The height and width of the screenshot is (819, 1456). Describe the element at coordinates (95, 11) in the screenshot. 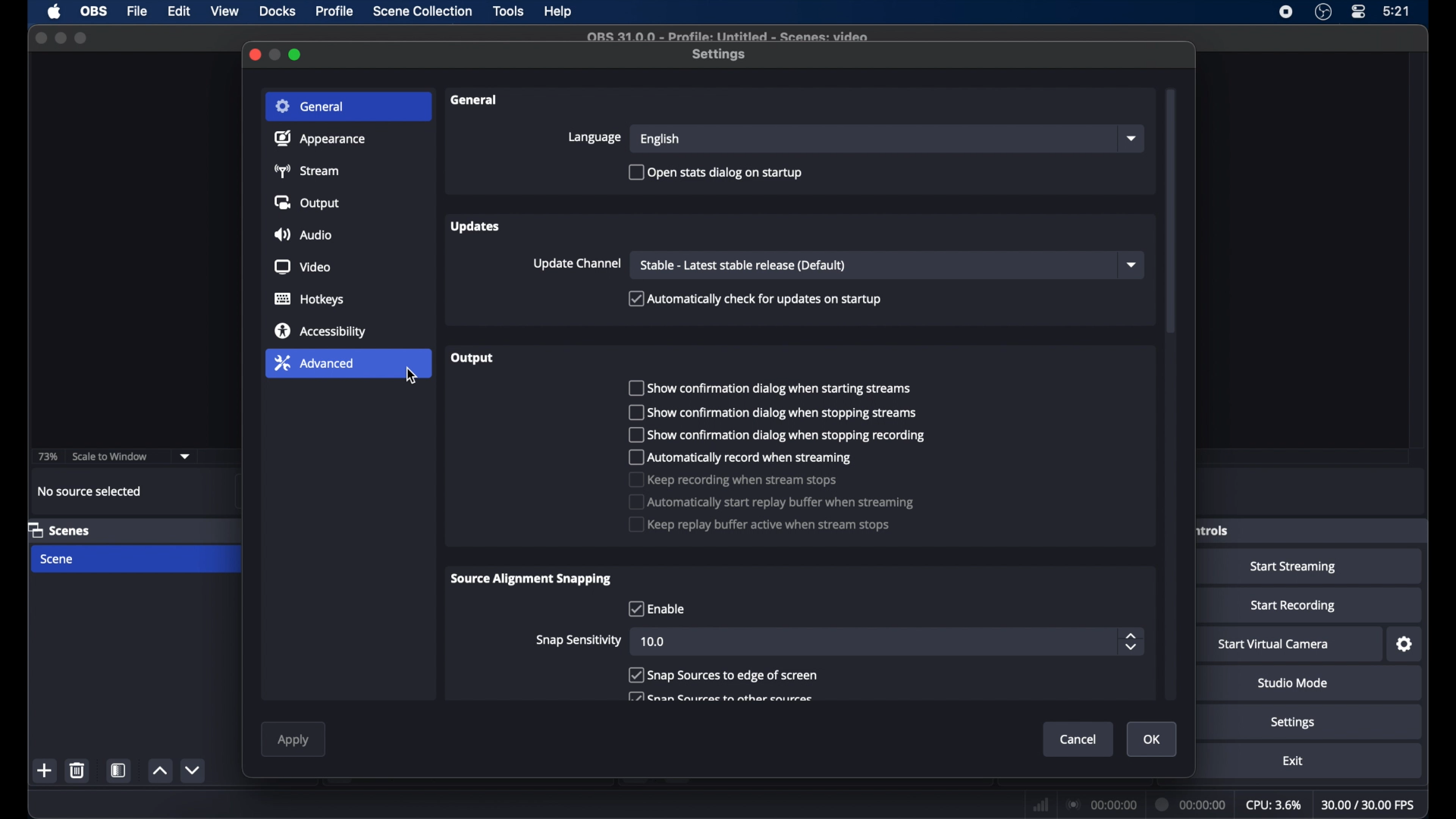

I see `ob` at that location.